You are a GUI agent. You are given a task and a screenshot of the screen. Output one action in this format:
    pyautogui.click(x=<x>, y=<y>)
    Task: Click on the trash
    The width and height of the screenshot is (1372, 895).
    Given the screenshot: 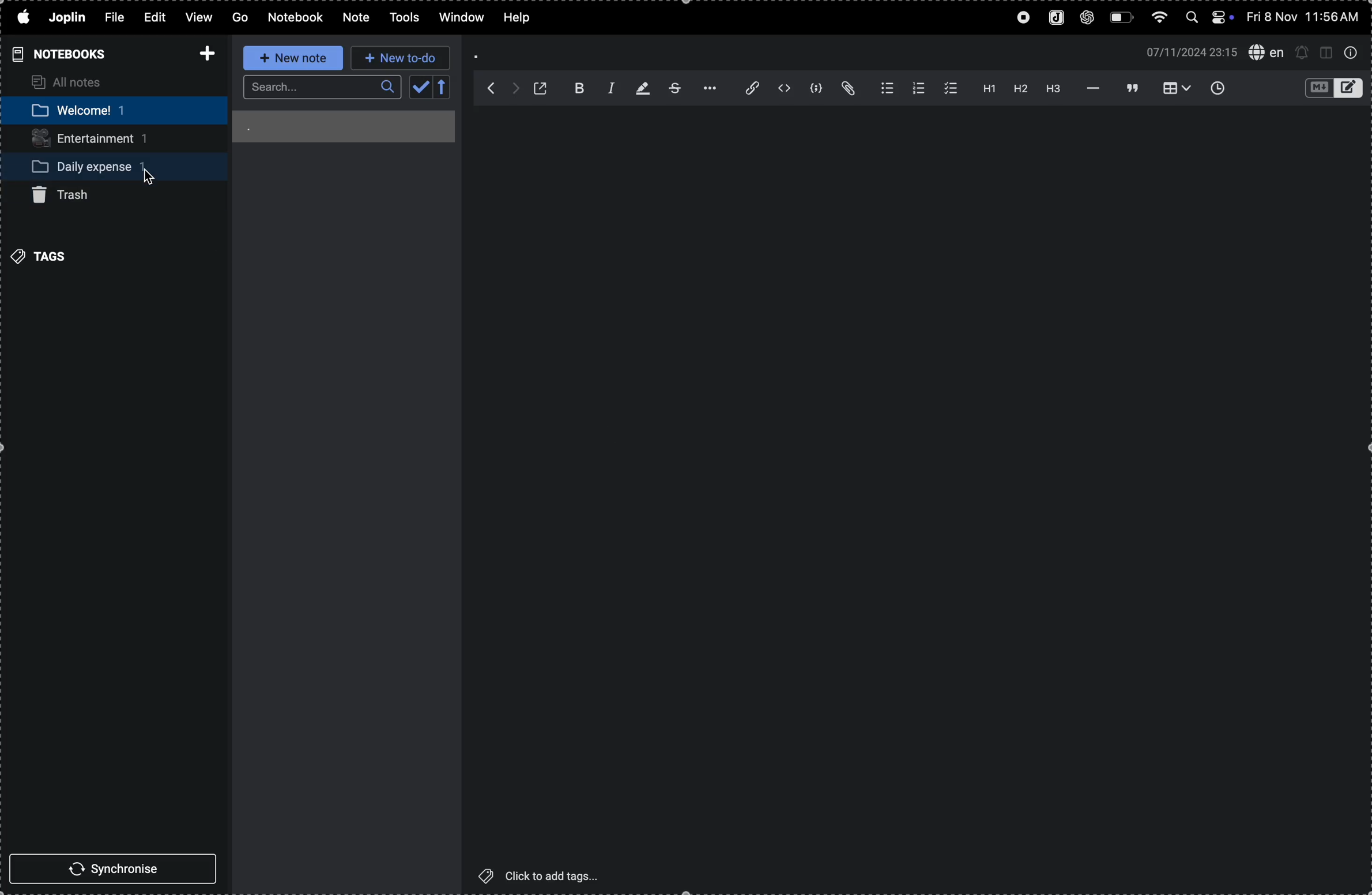 What is the action you would take?
    pyautogui.click(x=70, y=195)
    